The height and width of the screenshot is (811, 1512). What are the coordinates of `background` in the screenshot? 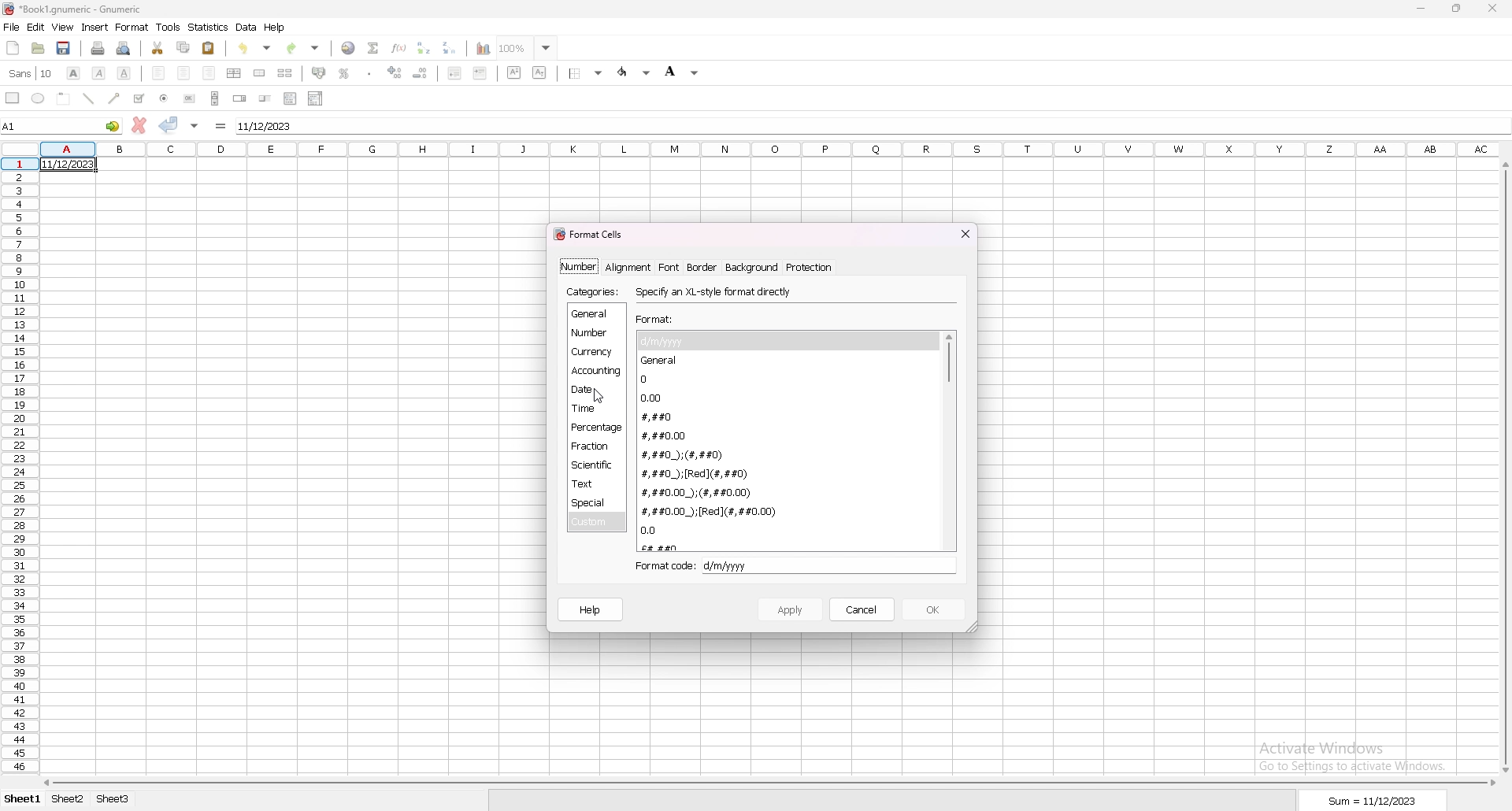 It's located at (750, 267).